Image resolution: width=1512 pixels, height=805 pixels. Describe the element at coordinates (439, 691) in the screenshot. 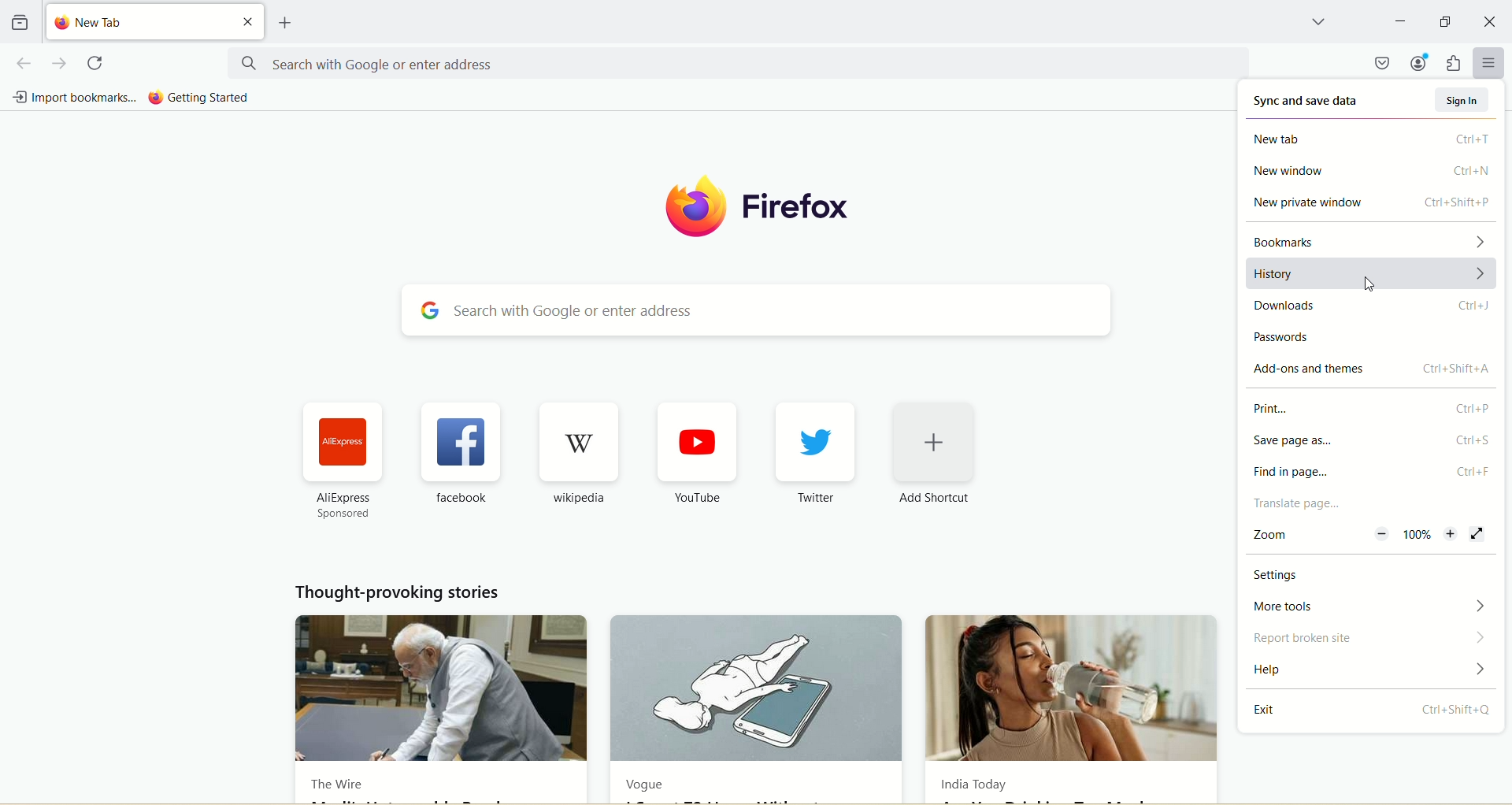

I see `The Wire news` at that location.